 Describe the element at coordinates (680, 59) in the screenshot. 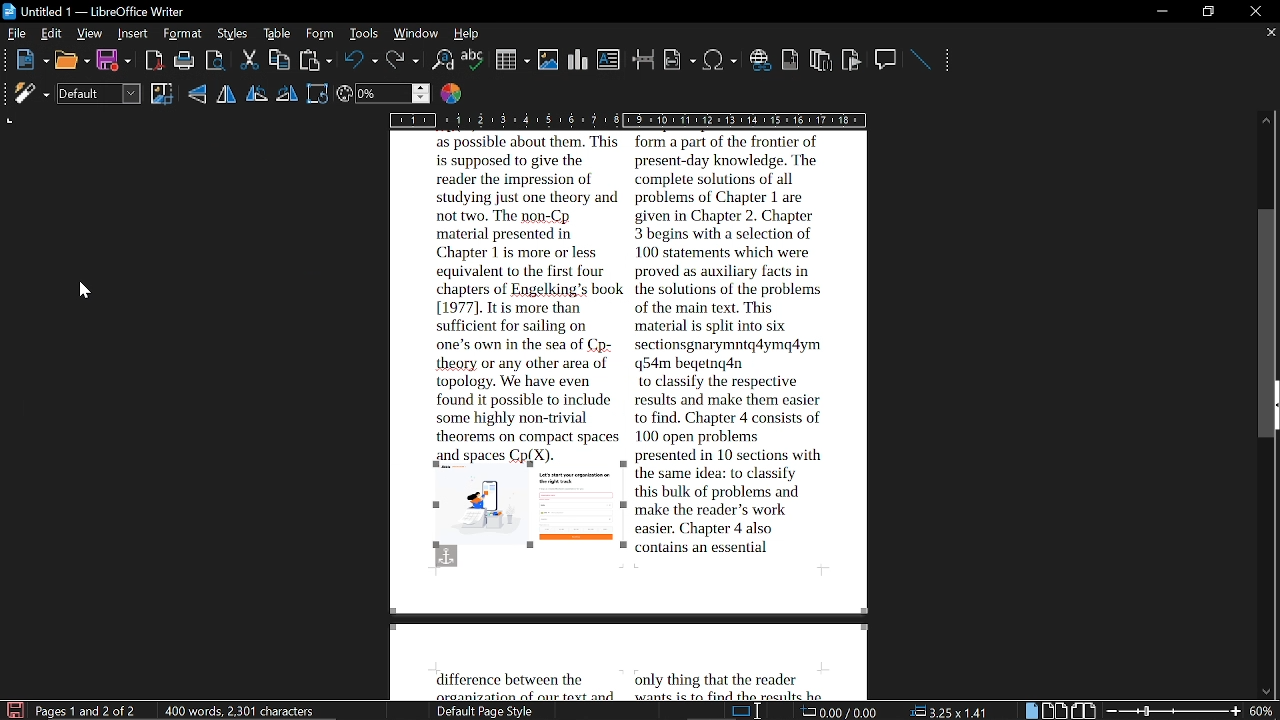

I see `insert field` at that location.